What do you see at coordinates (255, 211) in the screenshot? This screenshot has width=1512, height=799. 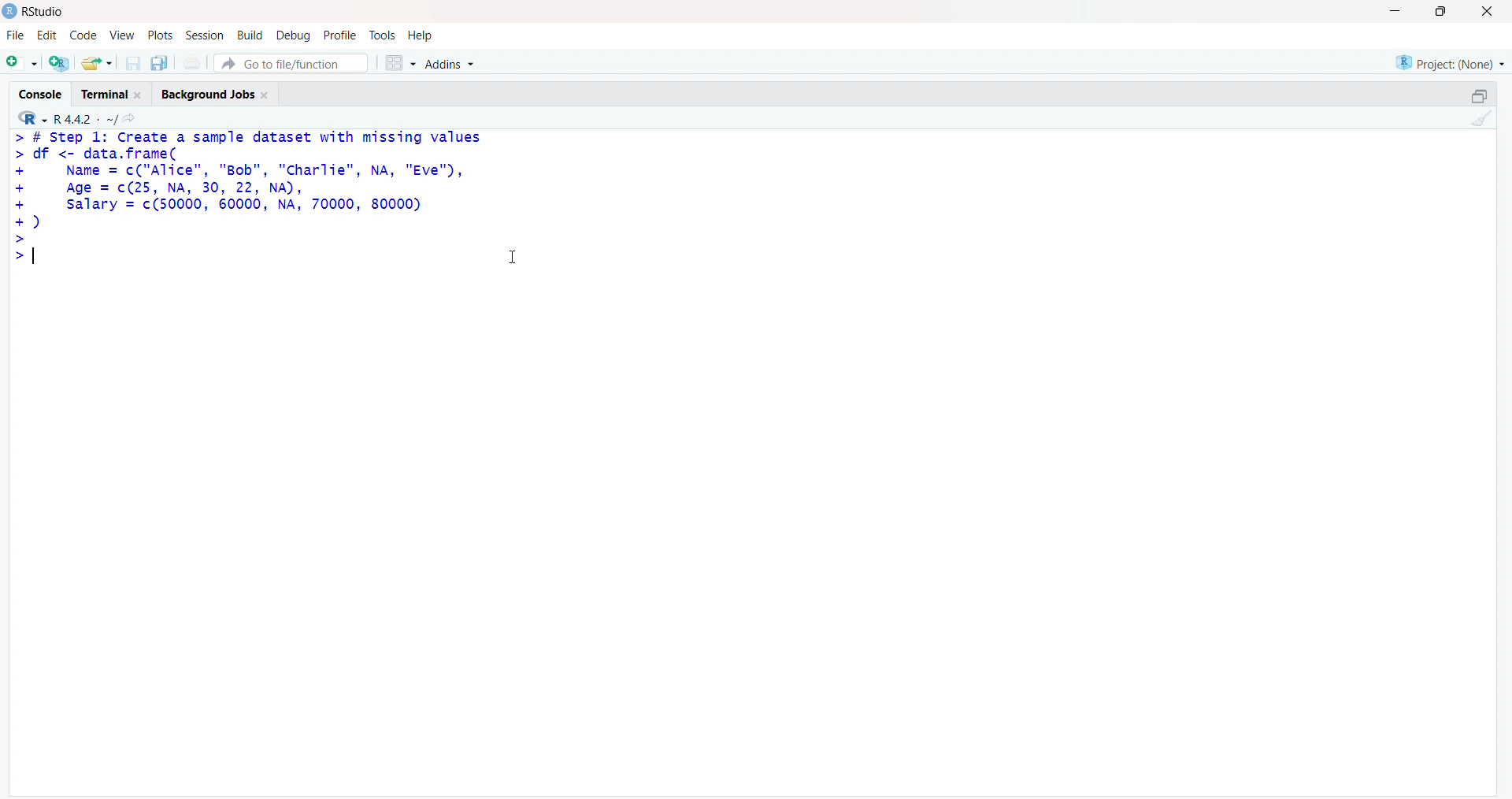 I see `> # Step 1: Create a sample dataset with missing values
> df <- data.frame(

+ Name = c("Alice", "Bob", "Charlie", NA, "Eve"),
+ Age = c(25, NA, 30, 22, NA),

+ salary = c(50000, 60000, NA, 70000, 80000)

+)

>

>` at bounding box center [255, 211].